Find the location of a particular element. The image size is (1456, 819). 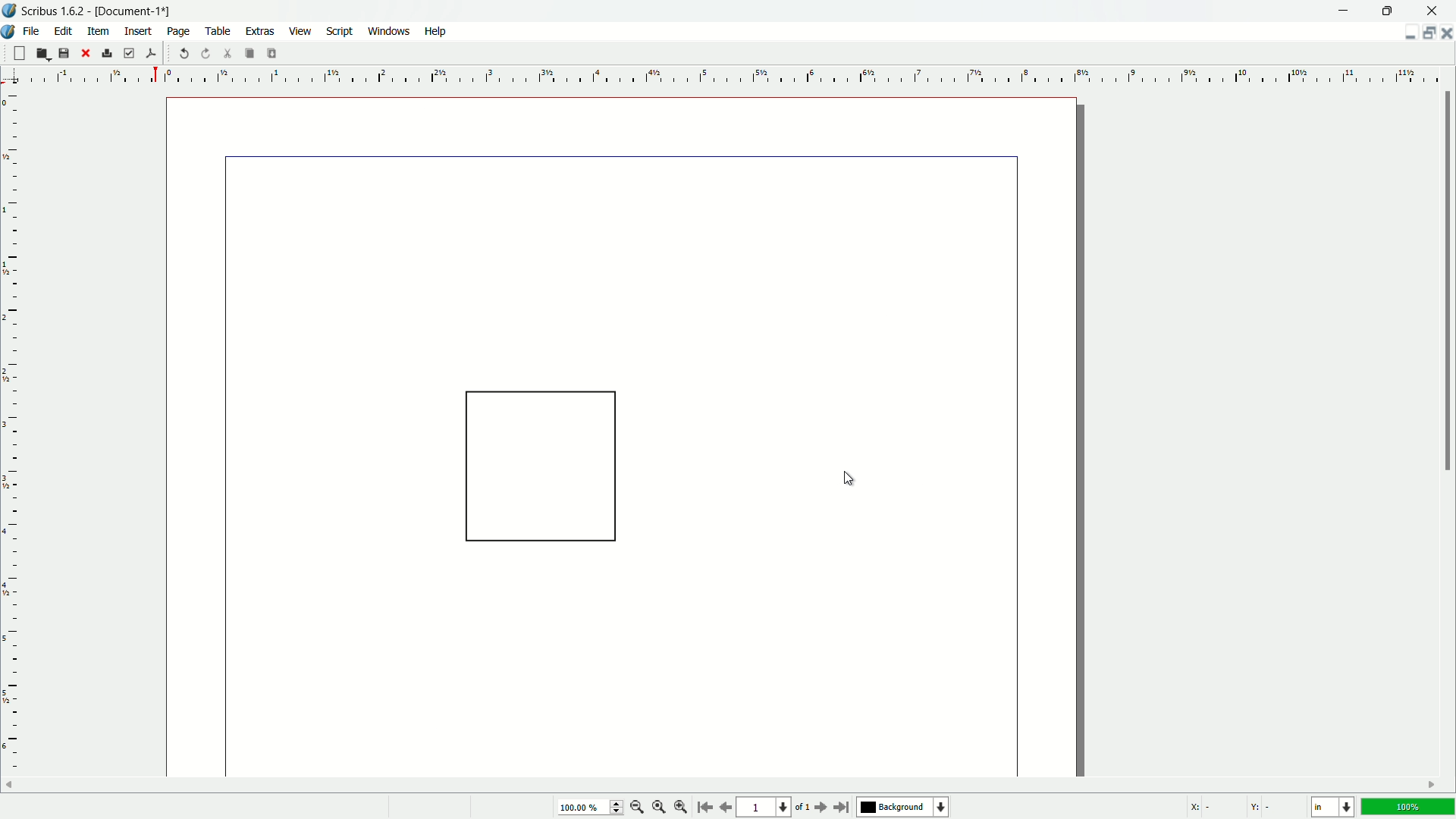

page number is located at coordinates (766, 808).